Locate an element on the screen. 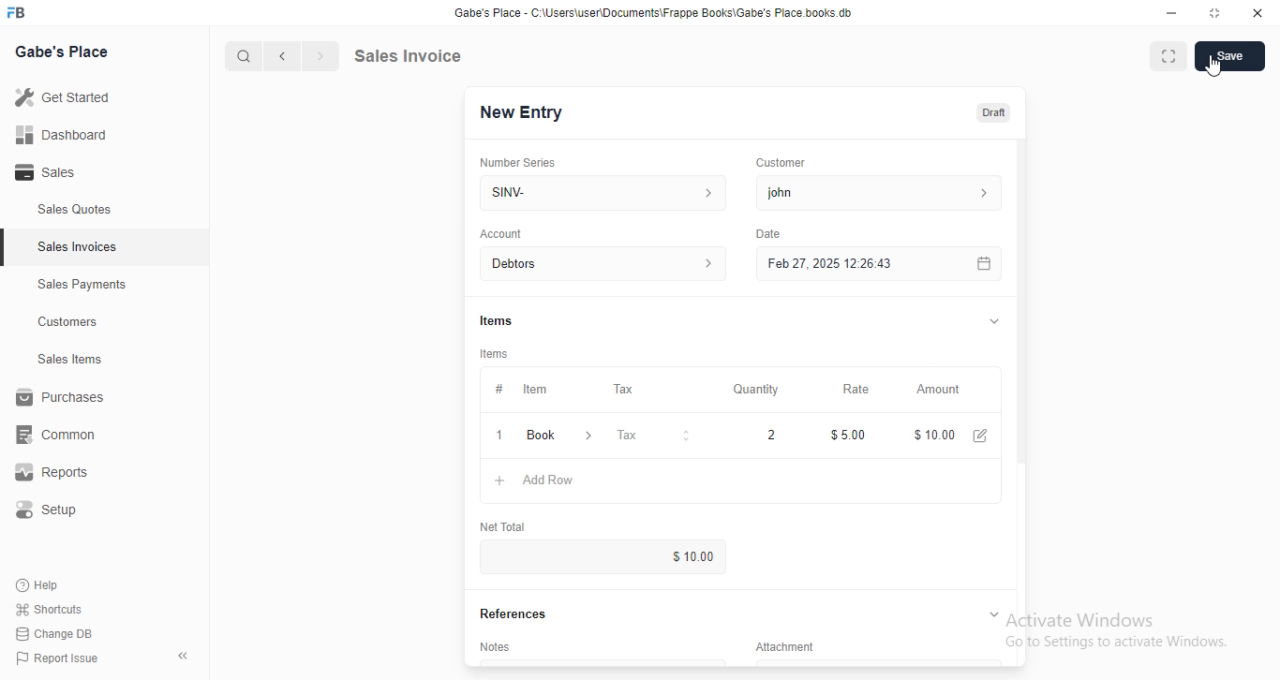 This screenshot has width=1280, height=680. Quantity is located at coordinates (753, 437).